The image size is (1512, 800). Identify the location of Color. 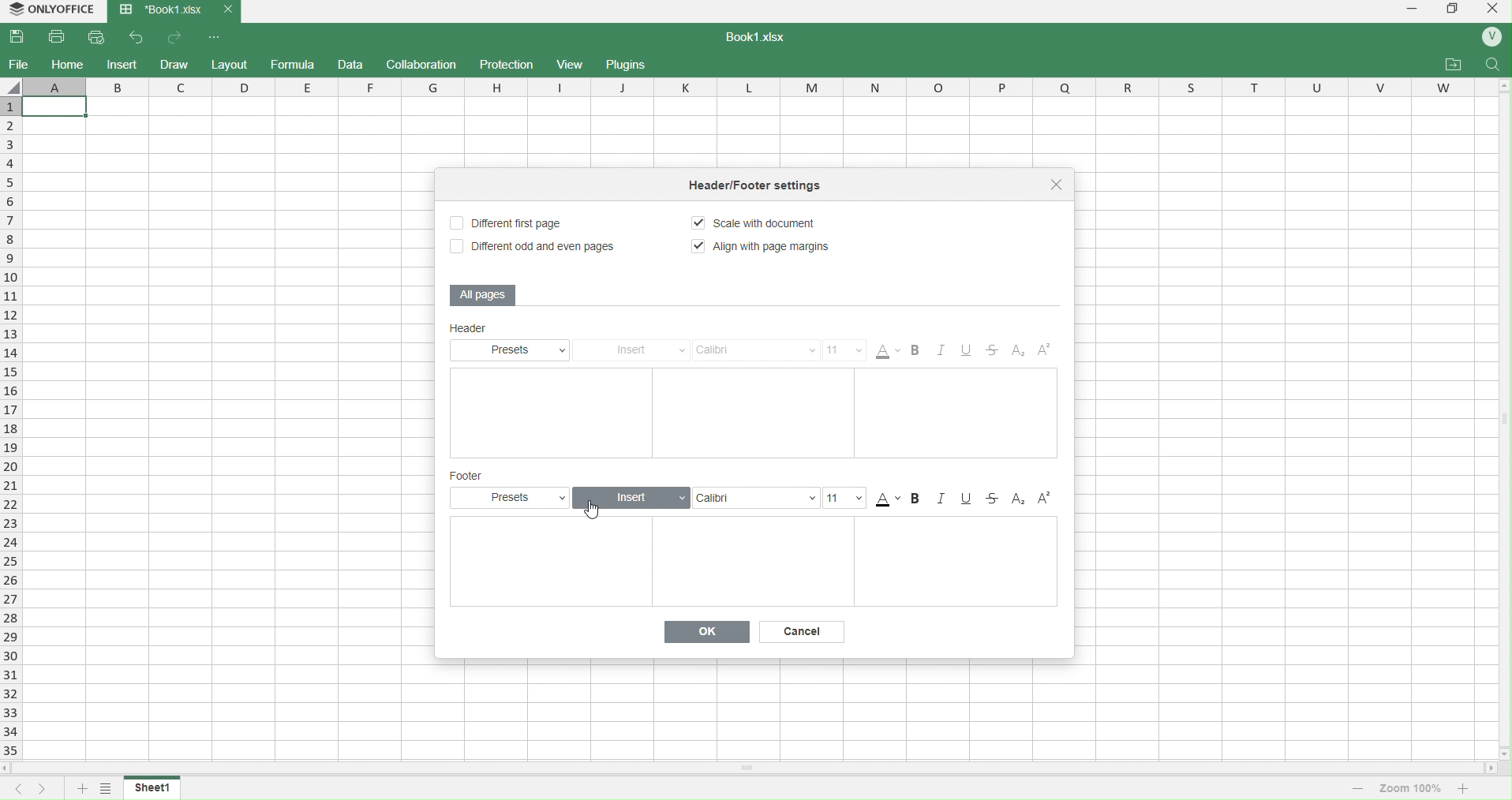
(889, 351).